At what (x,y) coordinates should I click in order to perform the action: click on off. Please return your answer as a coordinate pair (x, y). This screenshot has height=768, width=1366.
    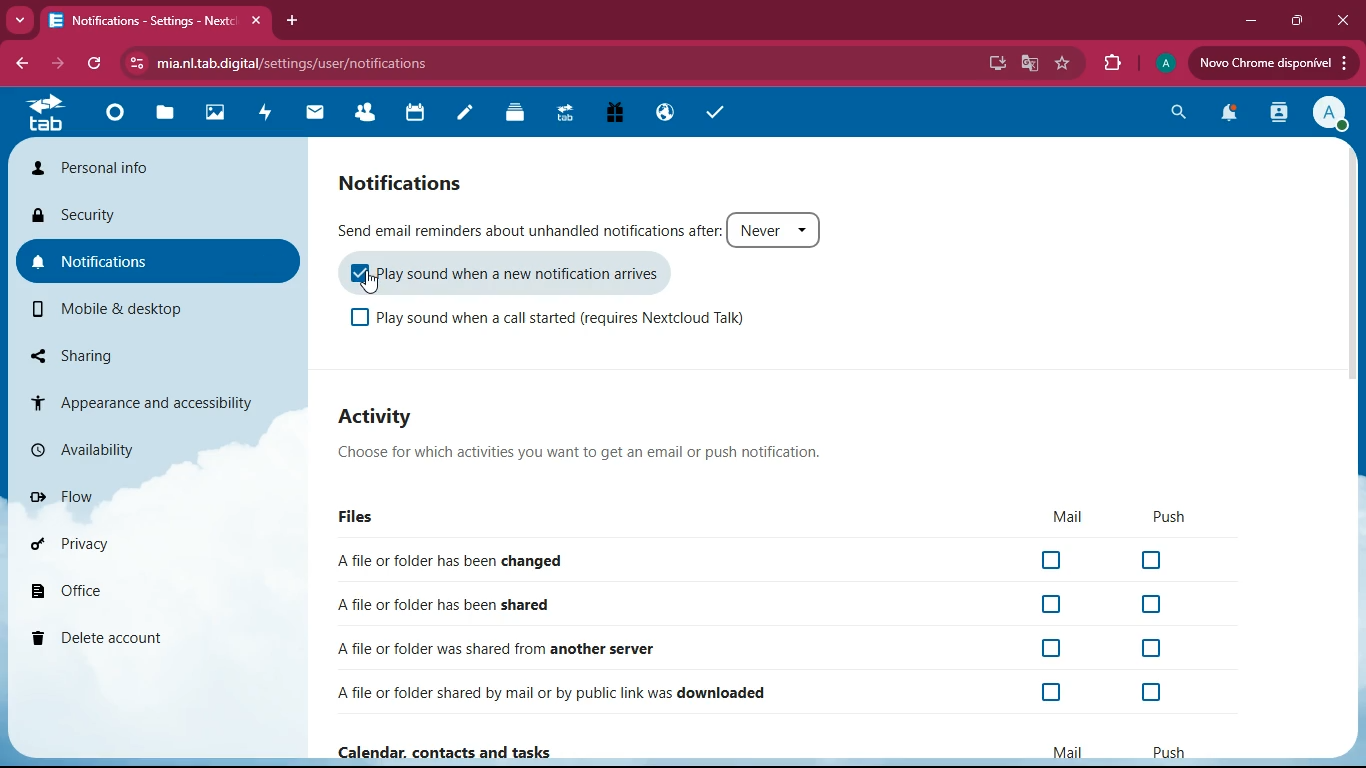
    Looking at the image, I should click on (1053, 562).